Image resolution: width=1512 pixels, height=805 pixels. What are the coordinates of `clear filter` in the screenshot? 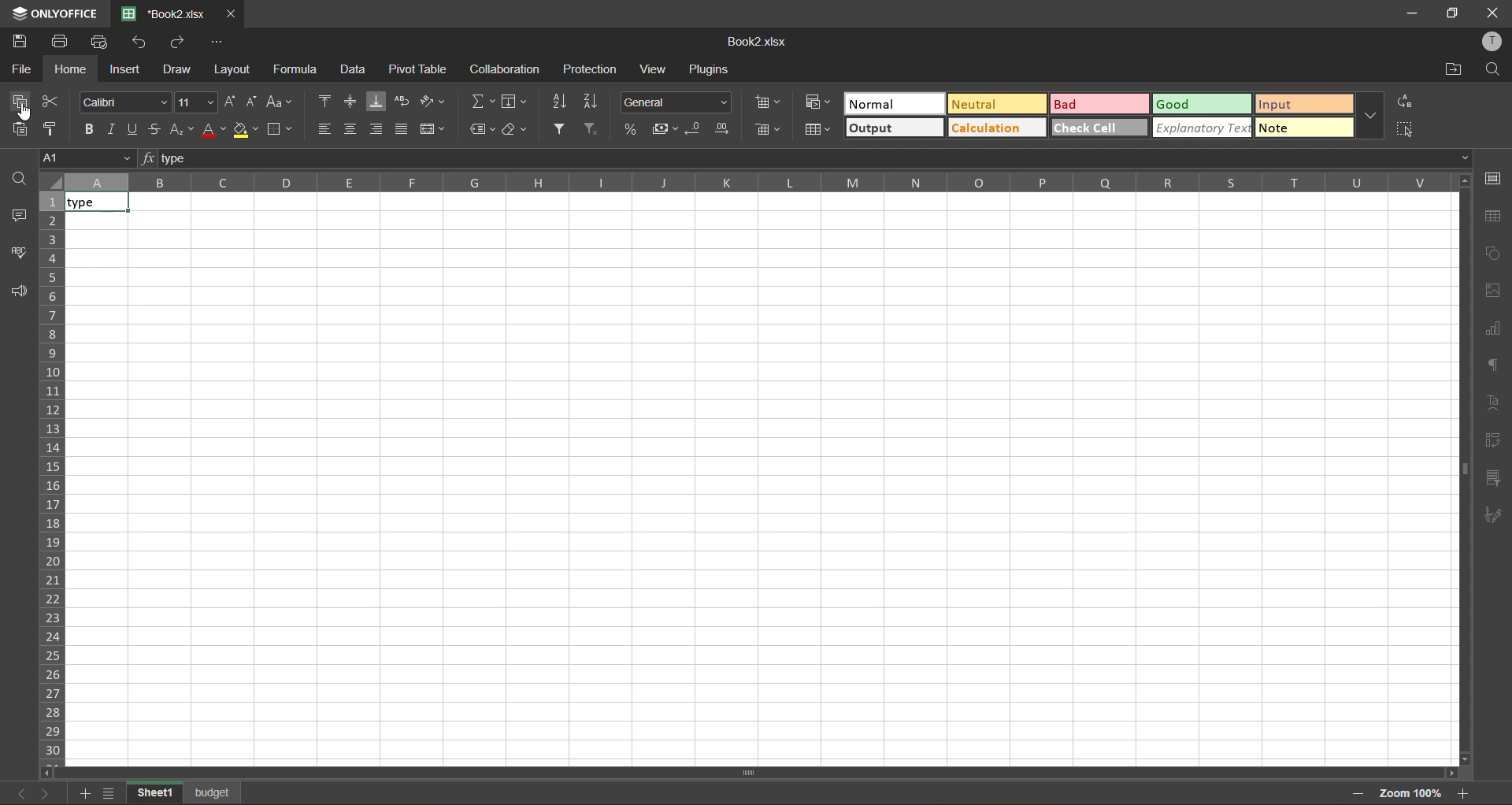 It's located at (590, 130).